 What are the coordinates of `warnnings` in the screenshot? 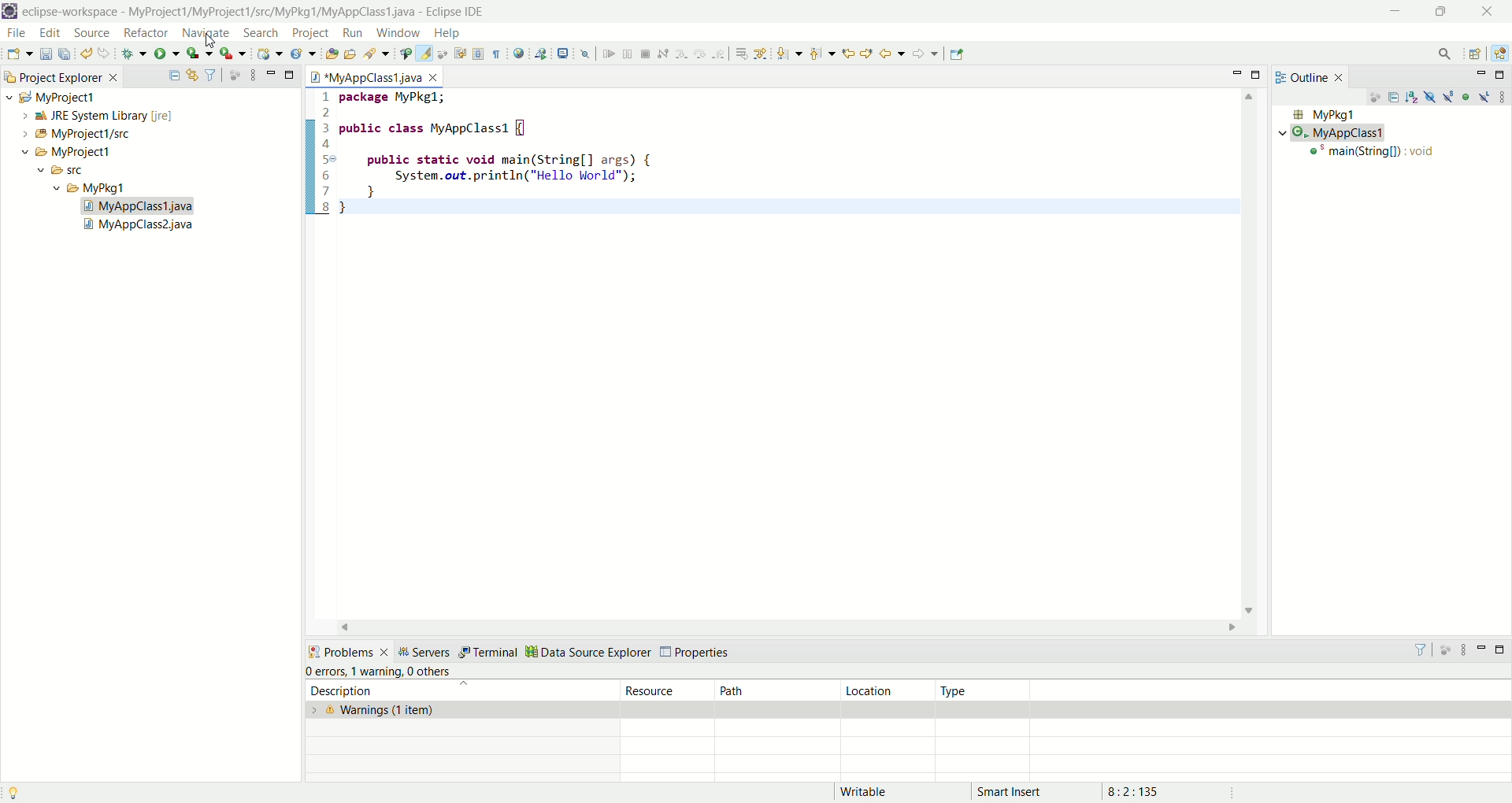 It's located at (462, 710).